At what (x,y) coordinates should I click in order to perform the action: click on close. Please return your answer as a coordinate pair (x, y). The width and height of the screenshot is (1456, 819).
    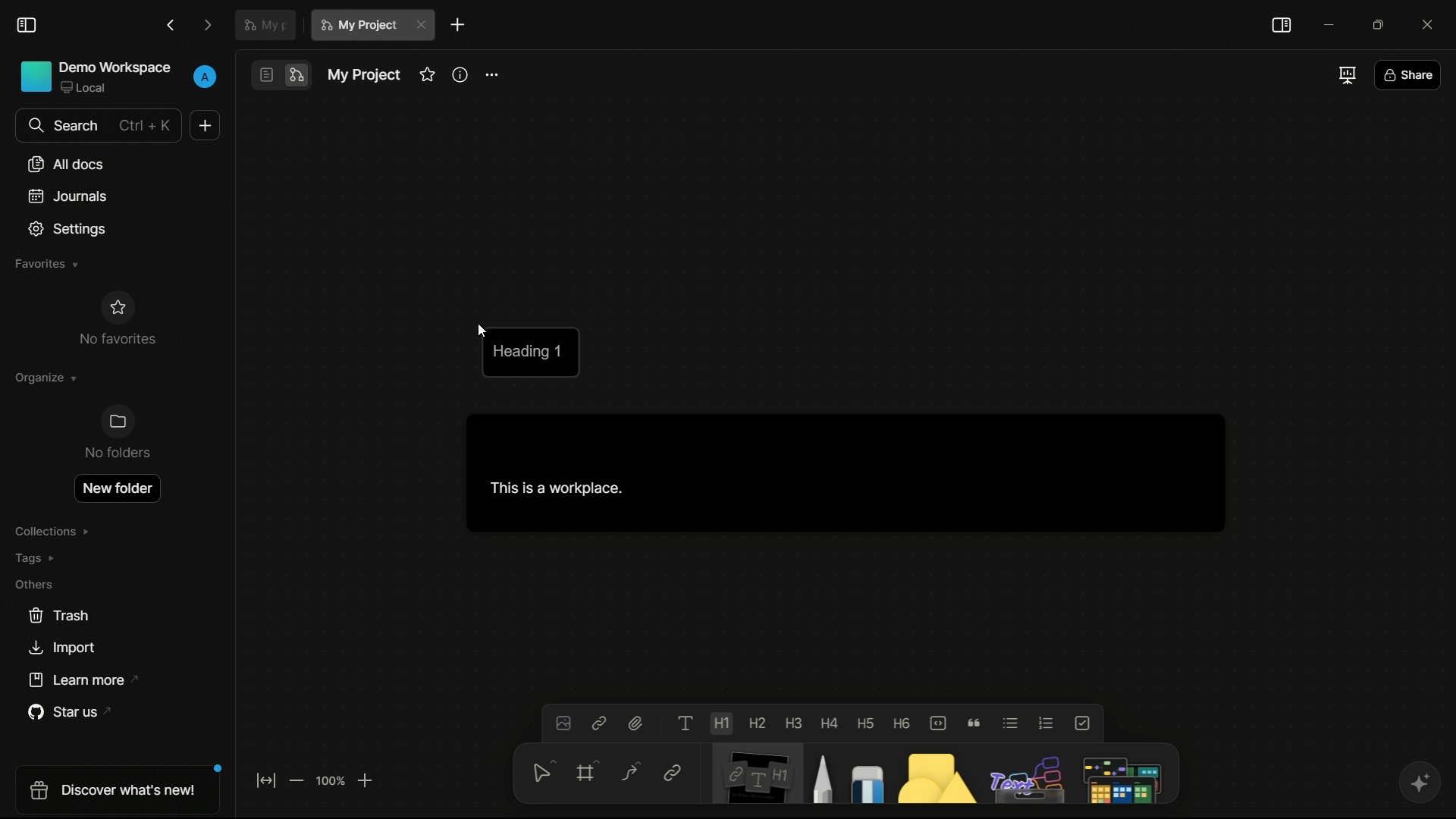
    Looking at the image, I should click on (422, 25).